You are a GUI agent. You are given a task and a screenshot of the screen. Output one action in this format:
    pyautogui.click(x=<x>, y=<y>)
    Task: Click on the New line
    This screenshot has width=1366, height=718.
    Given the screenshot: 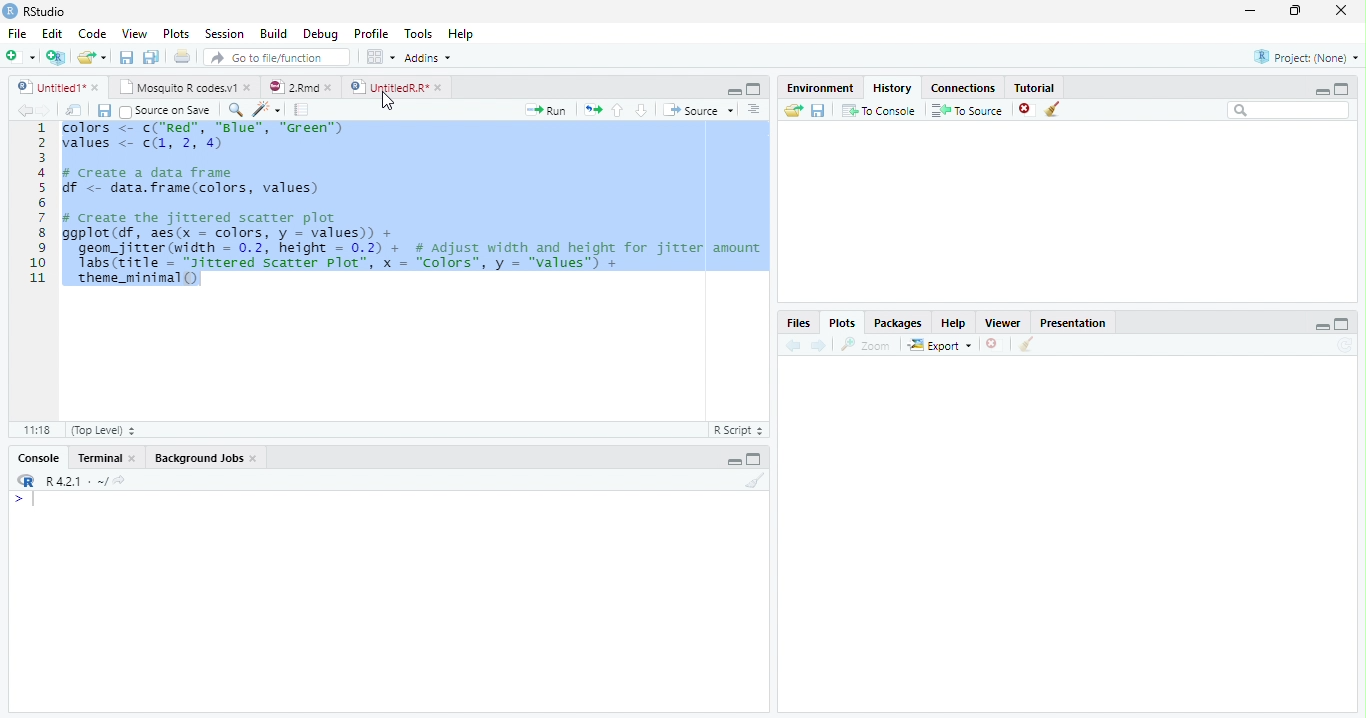 What is the action you would take?
    pyautogui.click(x=24, y=499)
    